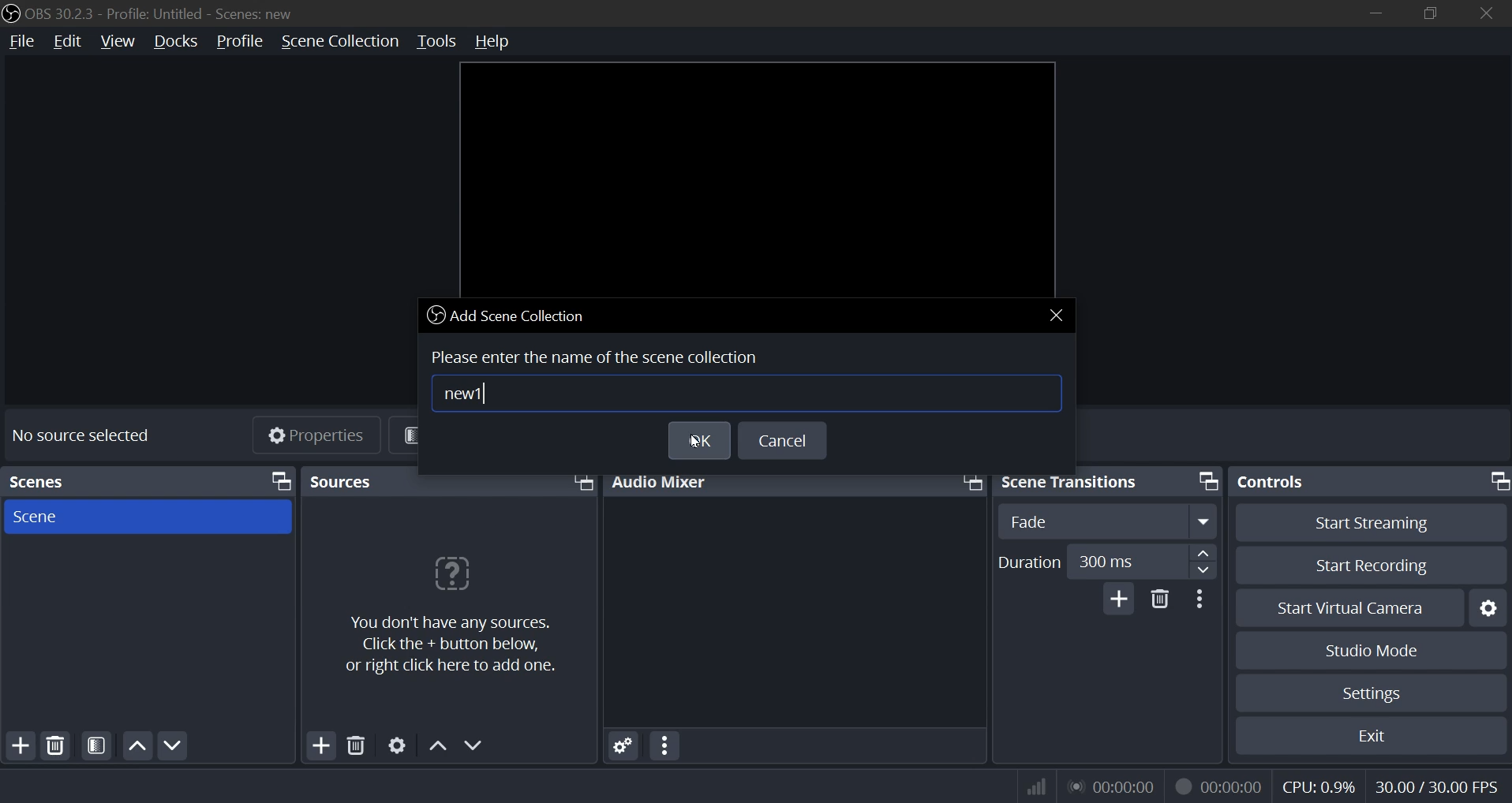  What do you see at coordinates (355, 746) in the screenshot?
I see `delete` at bounding box center [355, 746].